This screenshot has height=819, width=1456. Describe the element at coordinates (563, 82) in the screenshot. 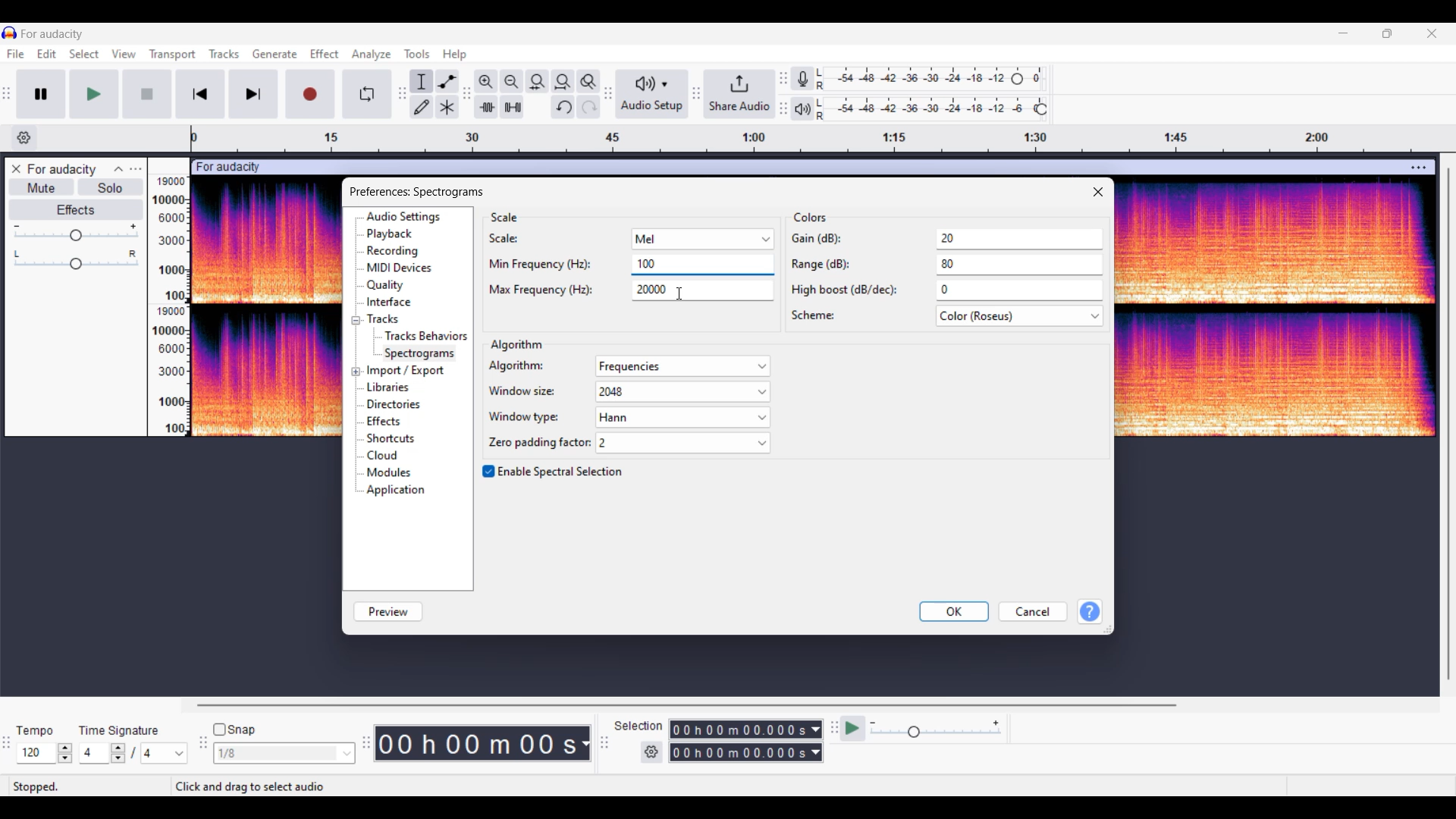

I see `Fit projection to width` at that location.